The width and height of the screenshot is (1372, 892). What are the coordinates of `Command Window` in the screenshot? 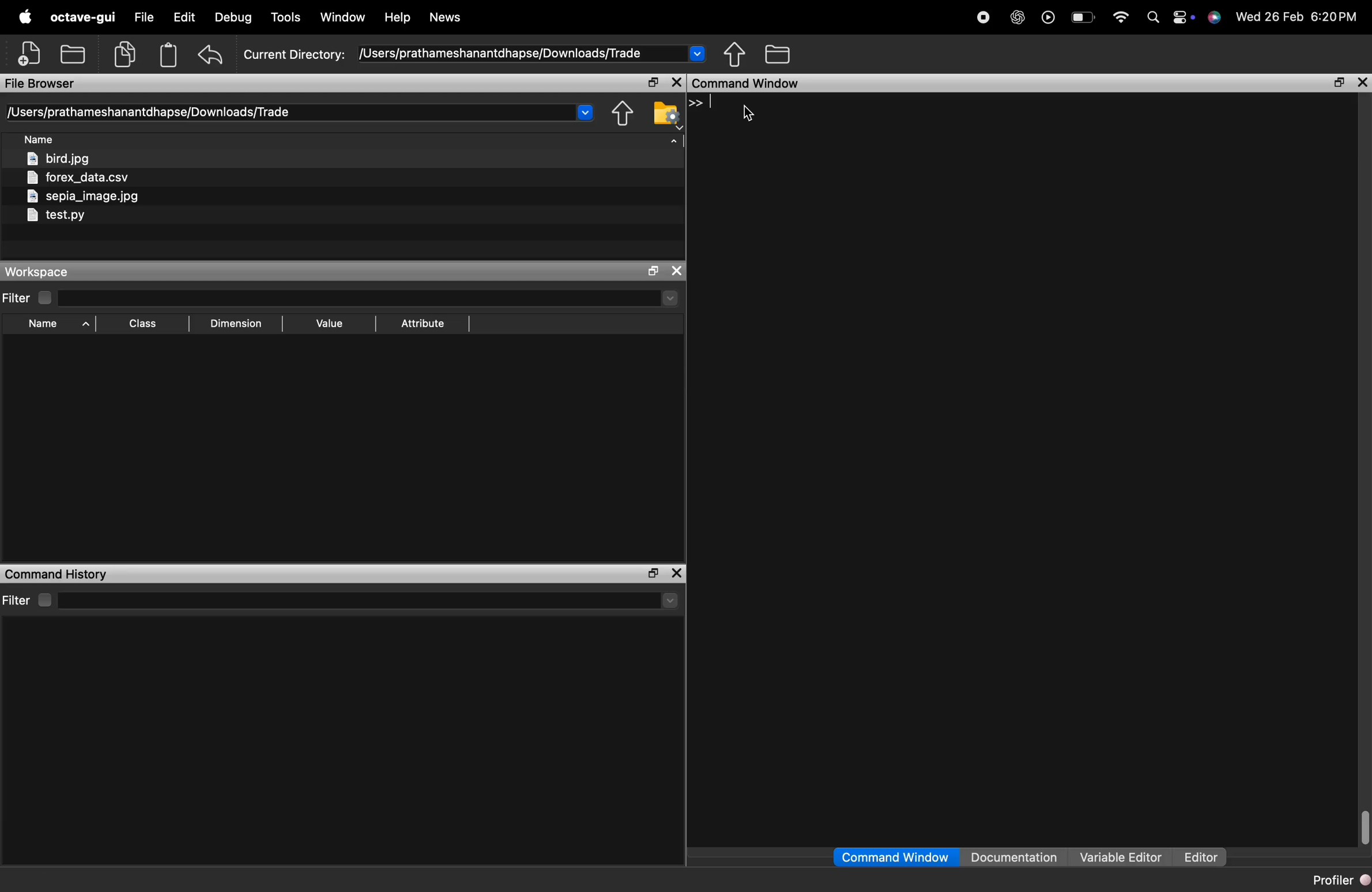 It's located at (747, 83).